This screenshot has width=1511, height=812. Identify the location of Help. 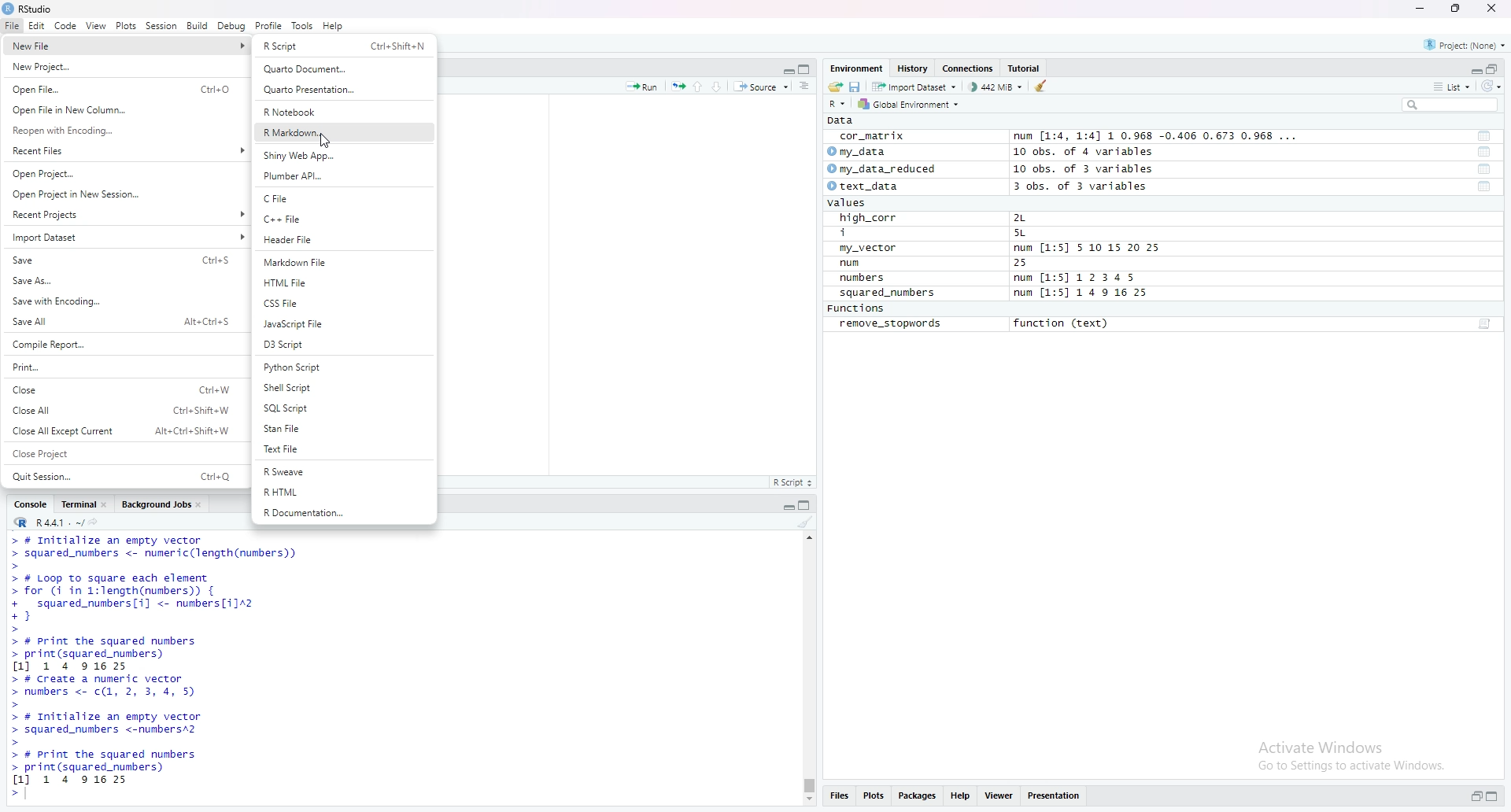
(962, 798).